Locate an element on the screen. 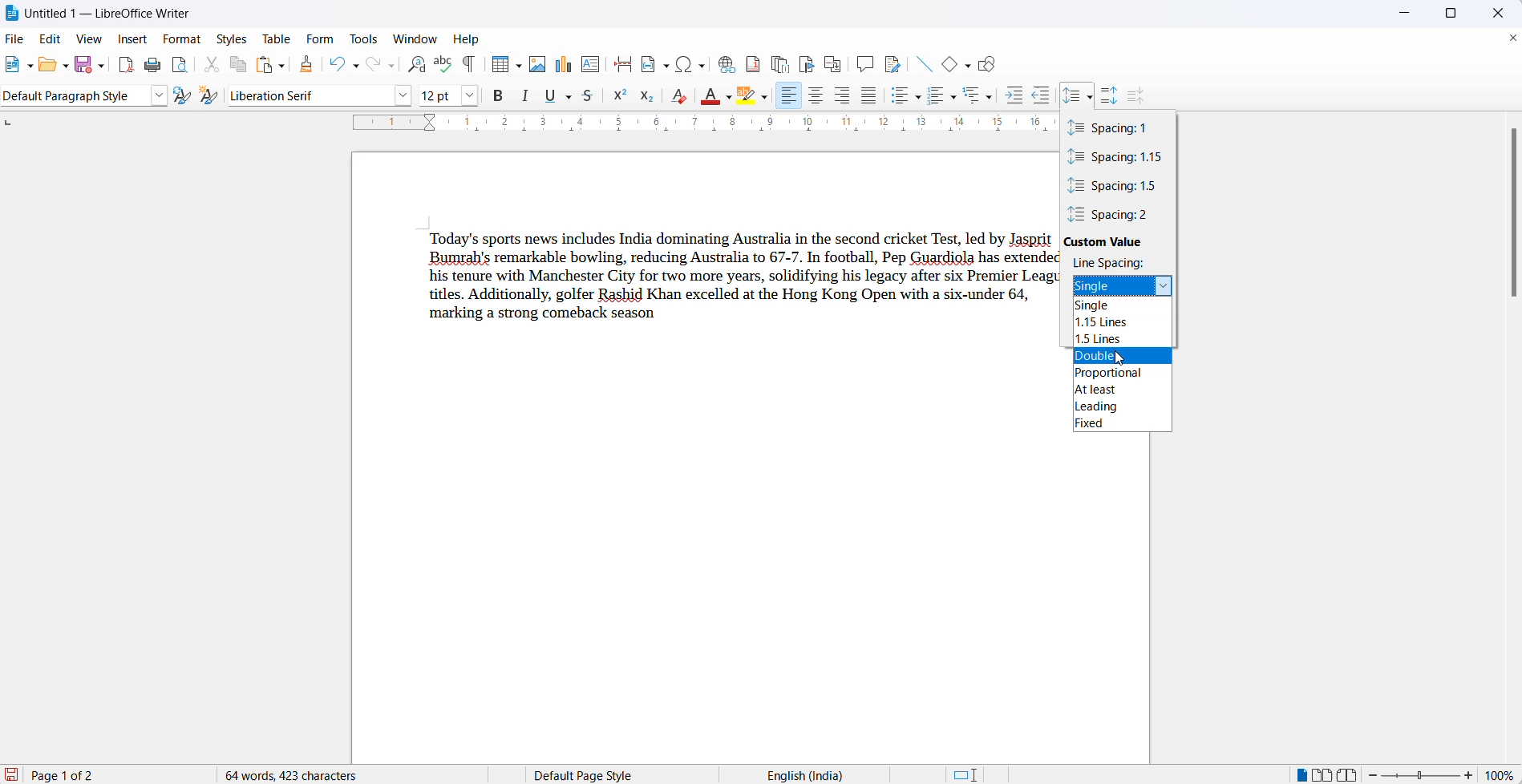 The height and width of the screenshot is (784, 1522). insert cross-reference is located at coordinates (832, 62).